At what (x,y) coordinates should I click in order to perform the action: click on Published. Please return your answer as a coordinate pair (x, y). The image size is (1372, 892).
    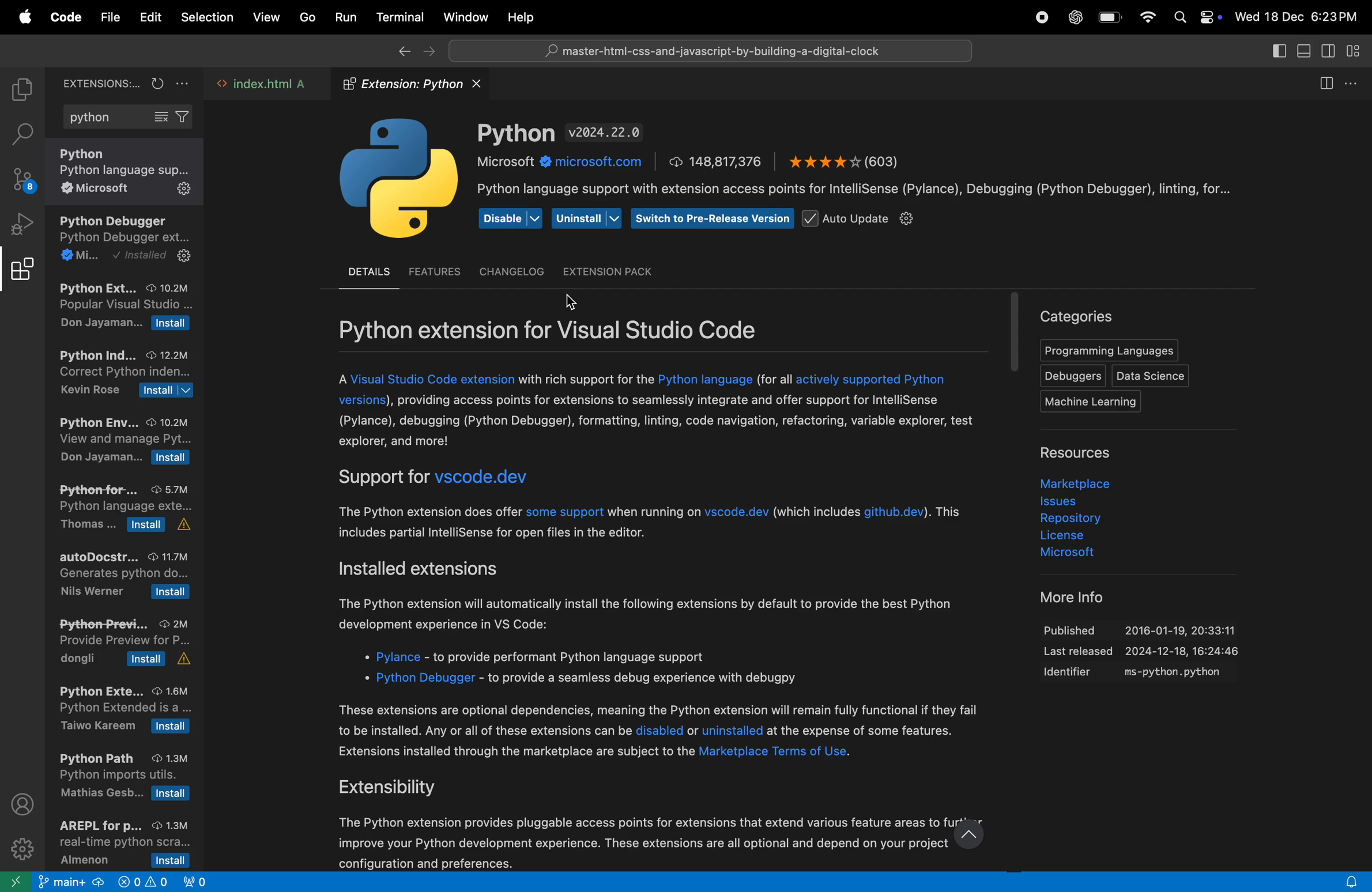
    Looking at the image, I should click on (1150, 626).